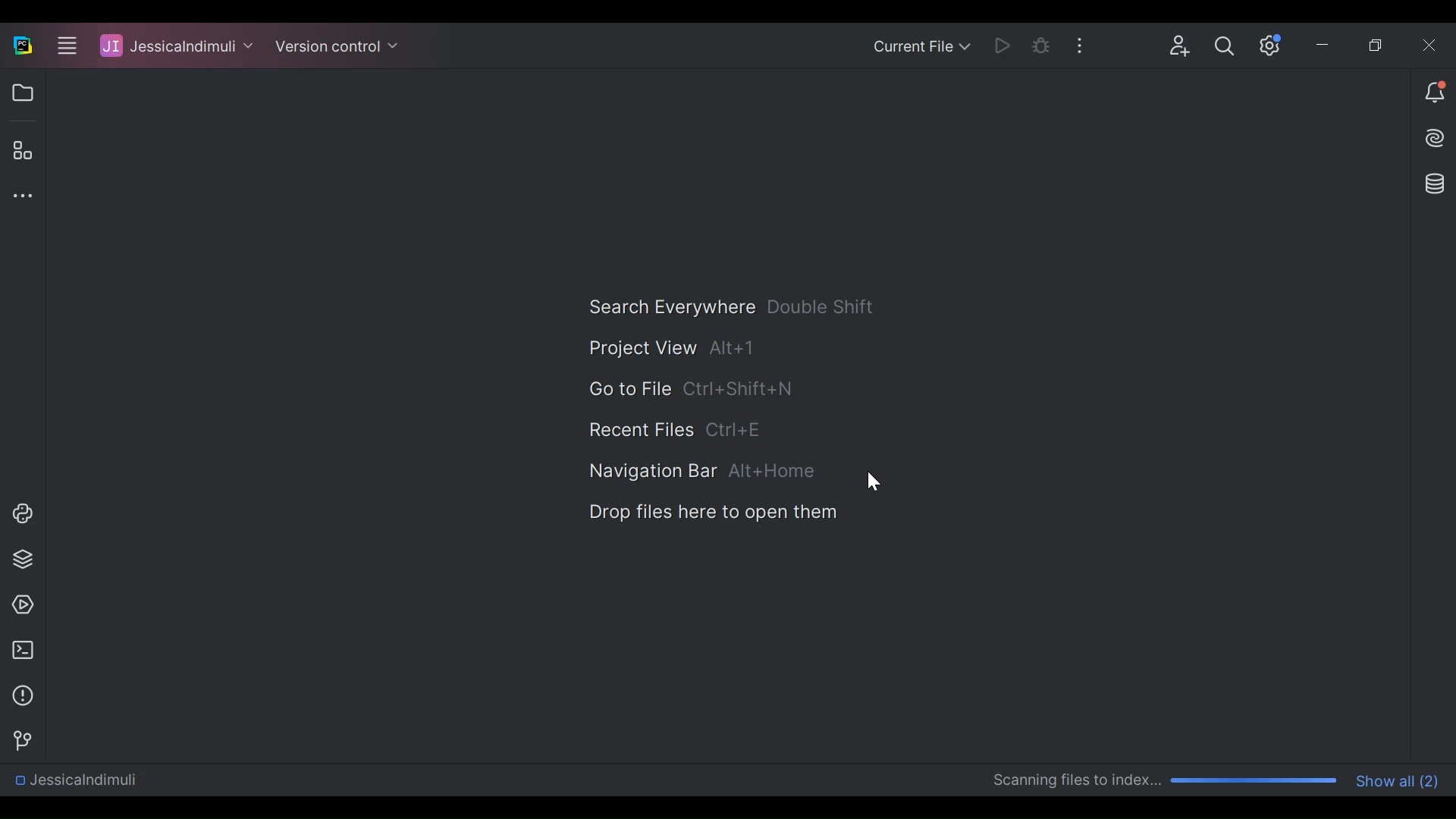  What do you see at coordinates (689, 390) in the screenshot?
I see `Go to File` at bounding box center [689, 390].